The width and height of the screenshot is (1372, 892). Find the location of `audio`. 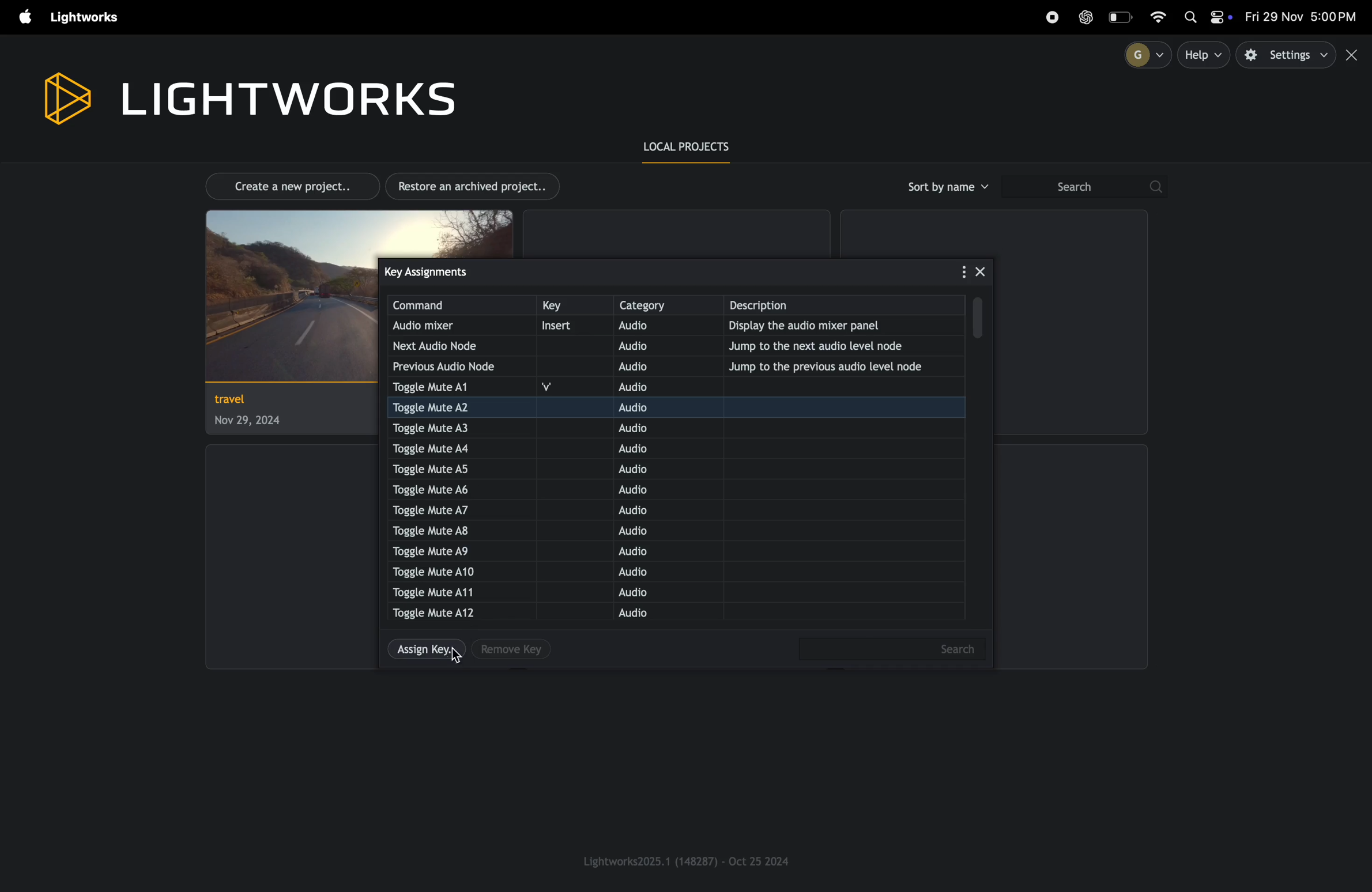

audio is located at coordinates (644, 449).